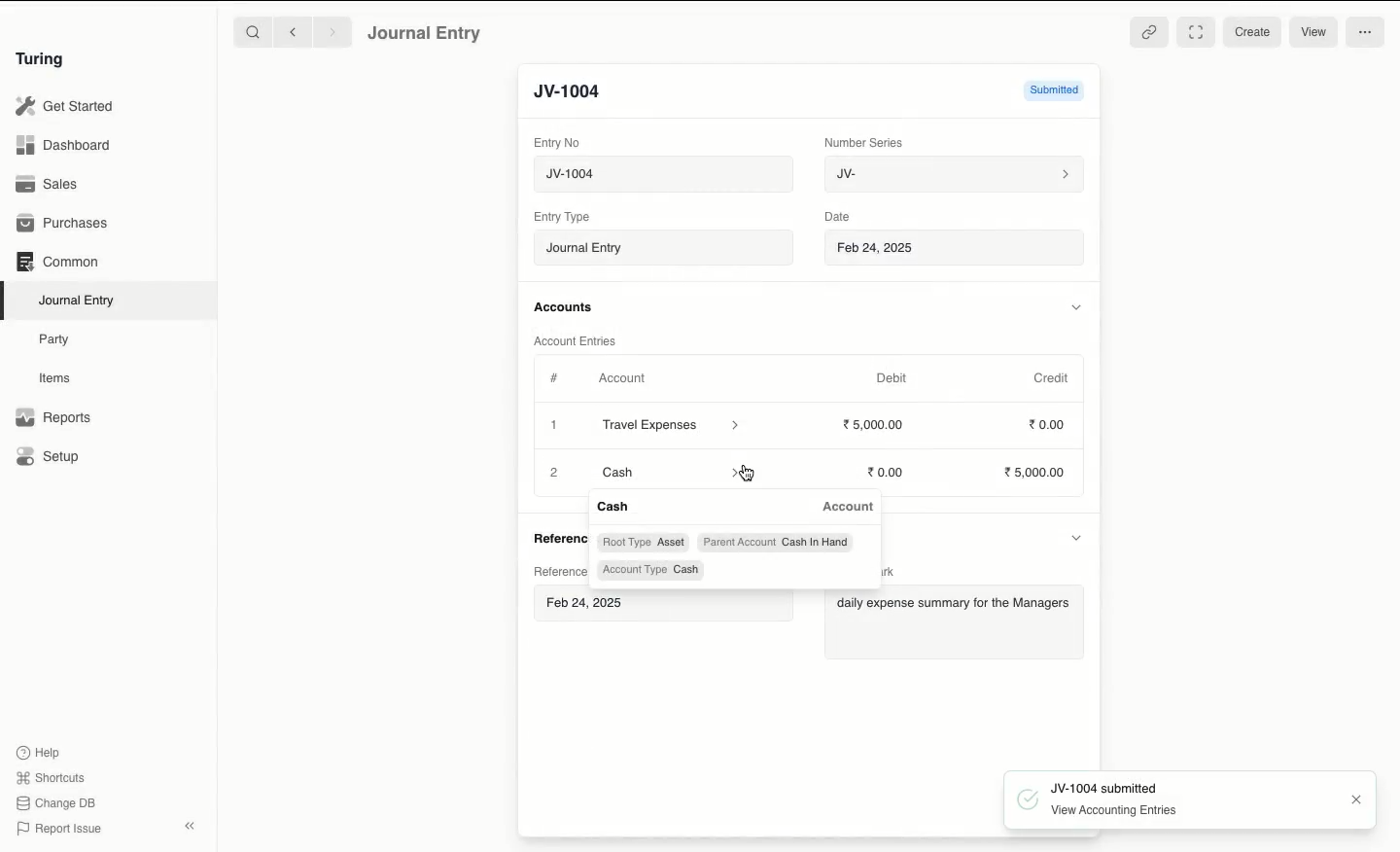  Describe the element at coordinates (1367, 31) in the screenshot. I see `More options` at that location.